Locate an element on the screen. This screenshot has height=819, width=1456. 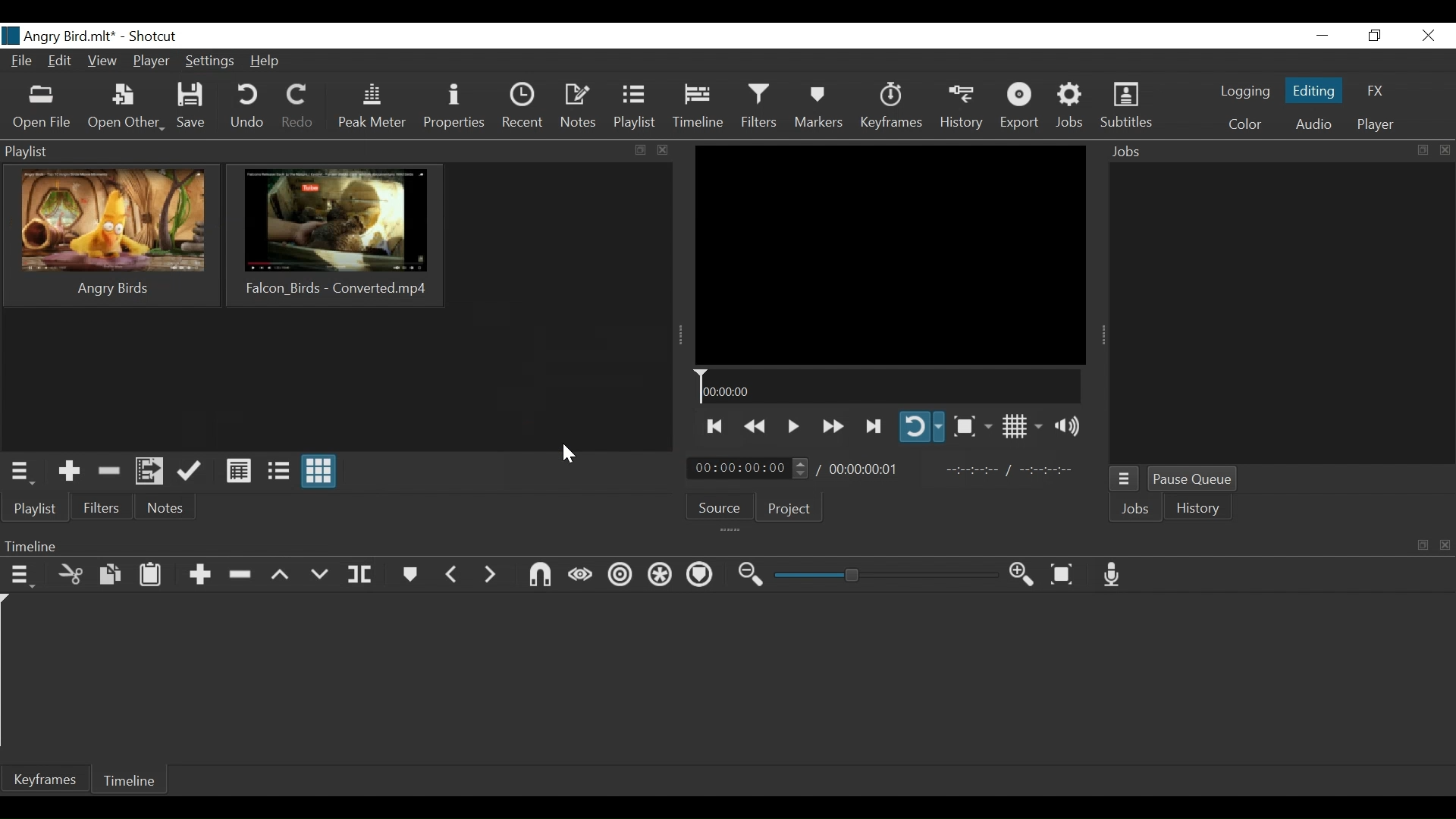
Markers is located at coordinates (820, 108).